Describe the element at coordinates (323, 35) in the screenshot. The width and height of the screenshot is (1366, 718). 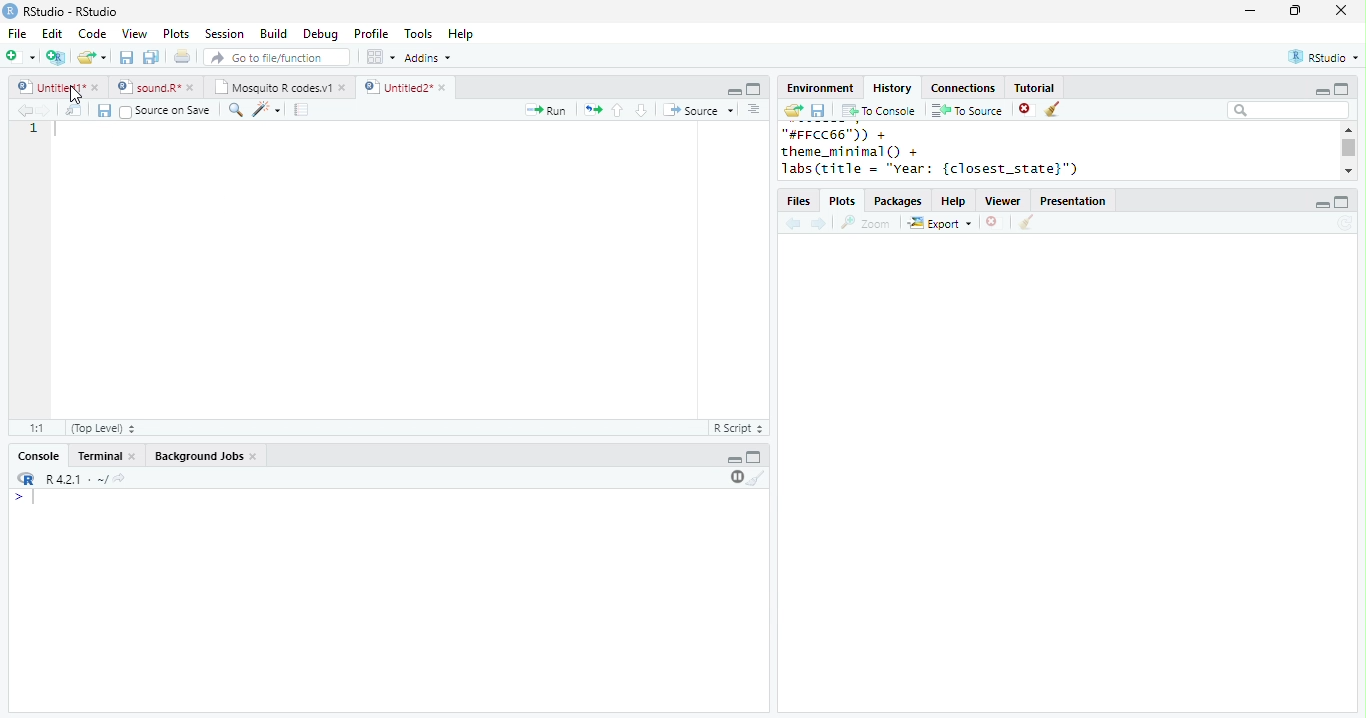
I see `Debug` at that location.